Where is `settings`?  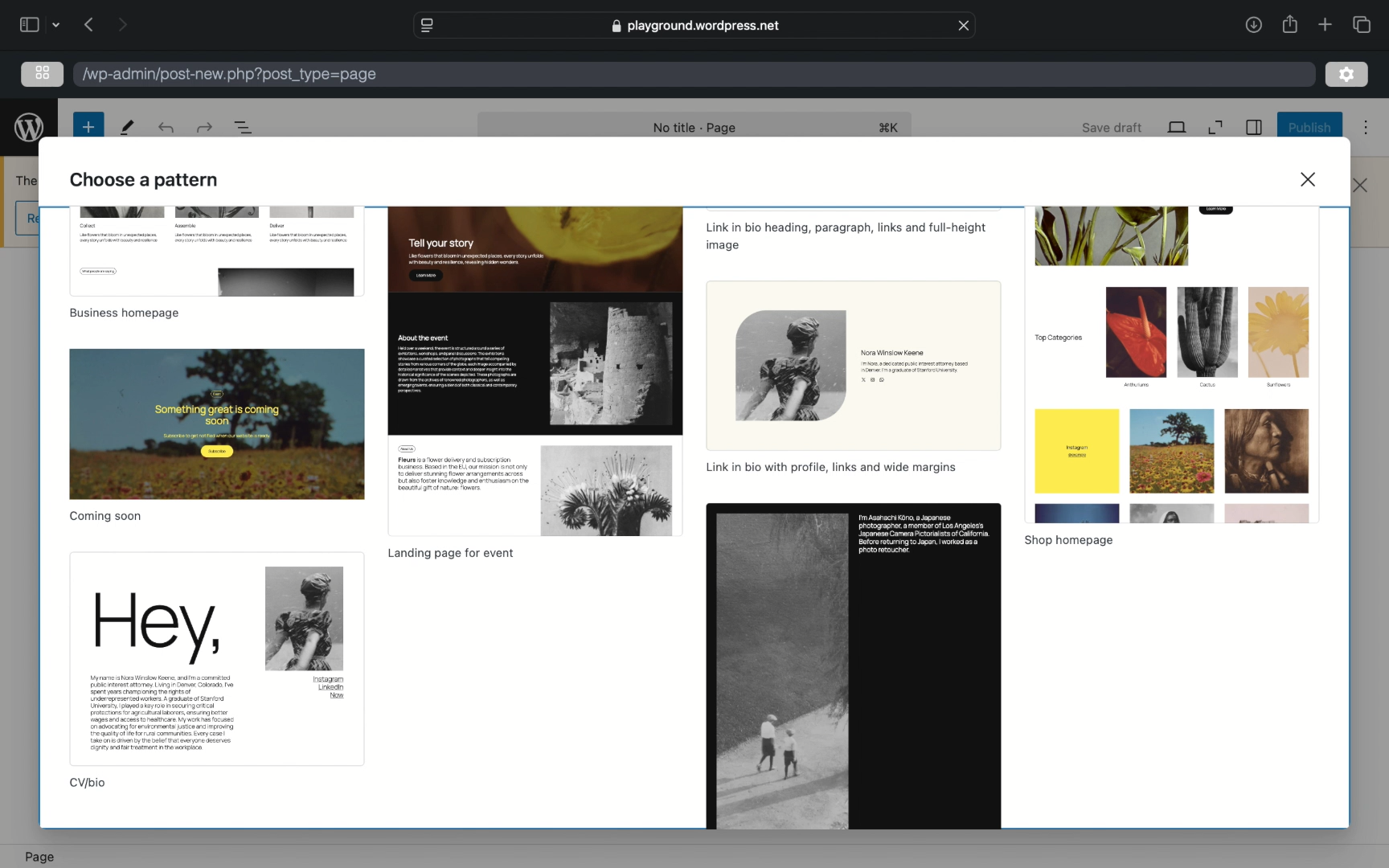
settings is located at coordinates (1347, 76).